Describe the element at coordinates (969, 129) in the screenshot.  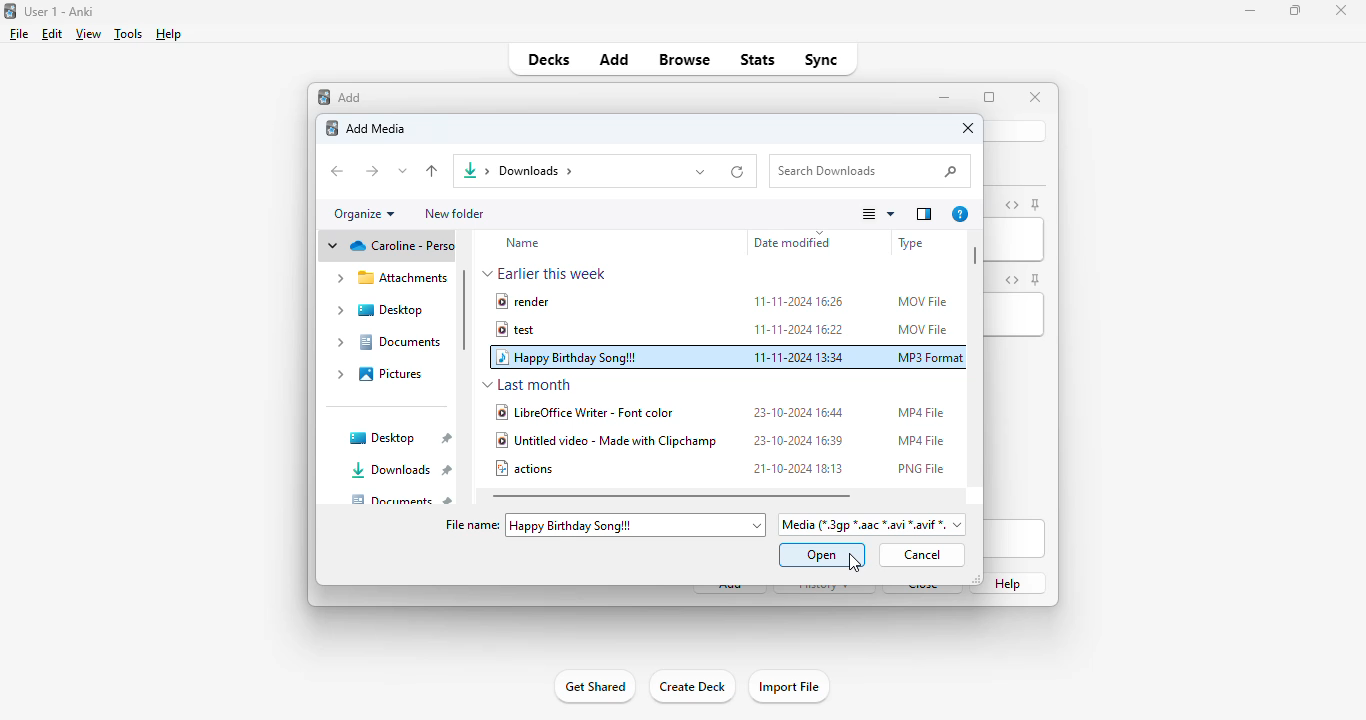
I see `close` at that location.